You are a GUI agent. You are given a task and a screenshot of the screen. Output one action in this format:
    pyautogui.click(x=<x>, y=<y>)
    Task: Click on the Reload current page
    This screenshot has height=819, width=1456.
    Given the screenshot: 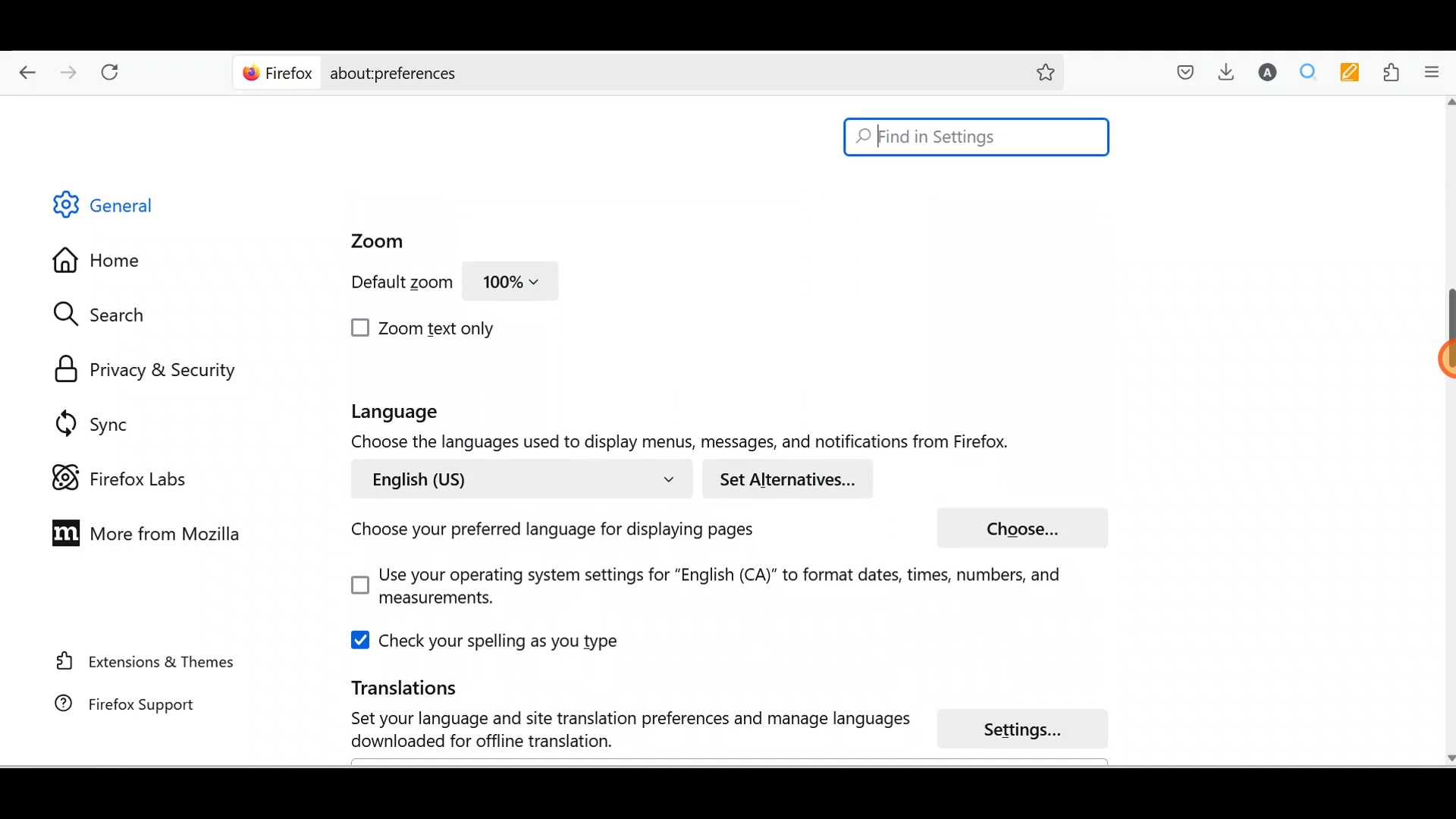 What is the action you would take?
    pyautogui.click(x=115, y=69)
    